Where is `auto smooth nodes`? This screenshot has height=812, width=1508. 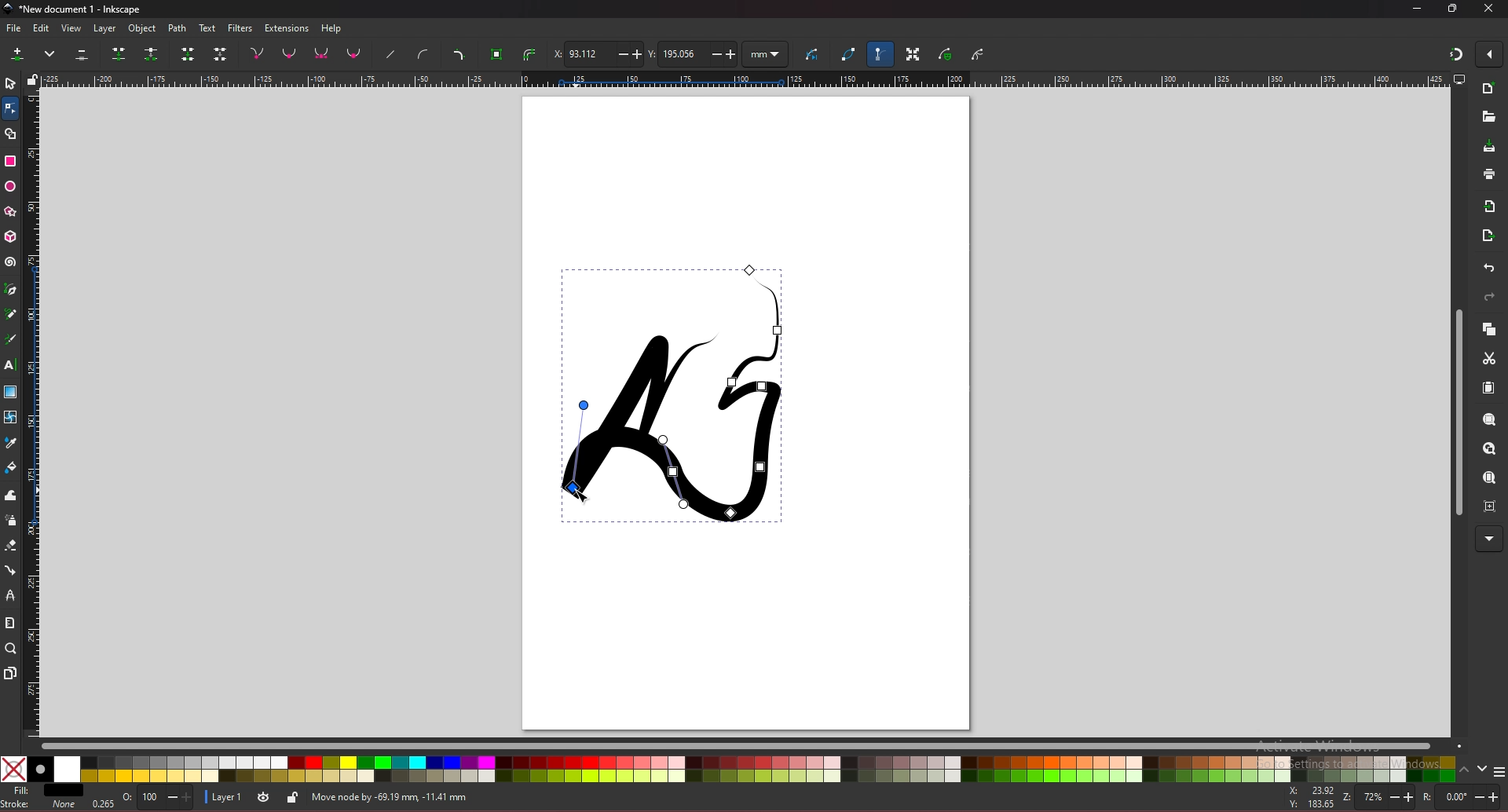 auto smooth nodes is located at coordinates (353, 53).